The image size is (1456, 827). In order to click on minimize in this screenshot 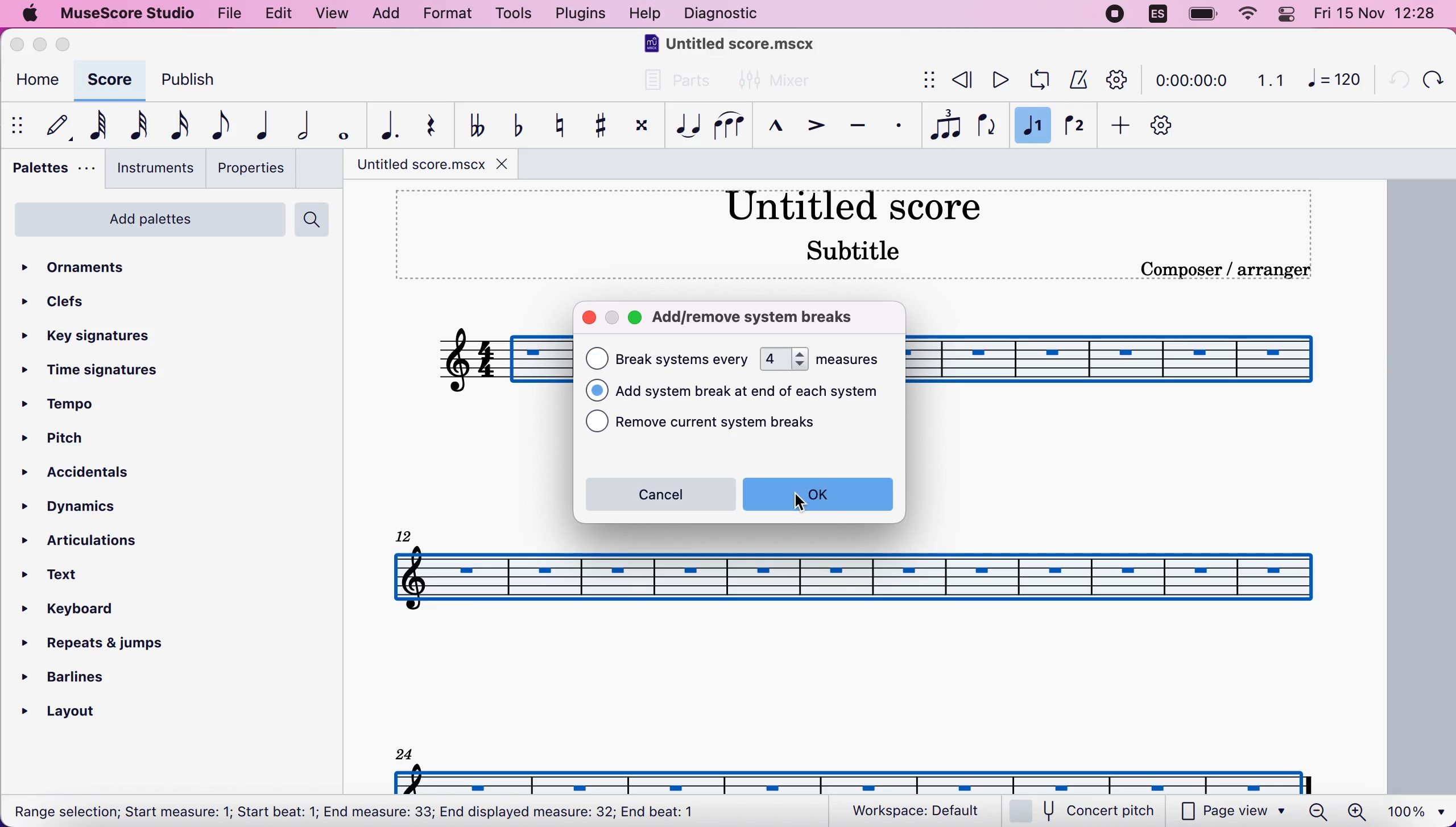, I will do `click(611, 318)`.